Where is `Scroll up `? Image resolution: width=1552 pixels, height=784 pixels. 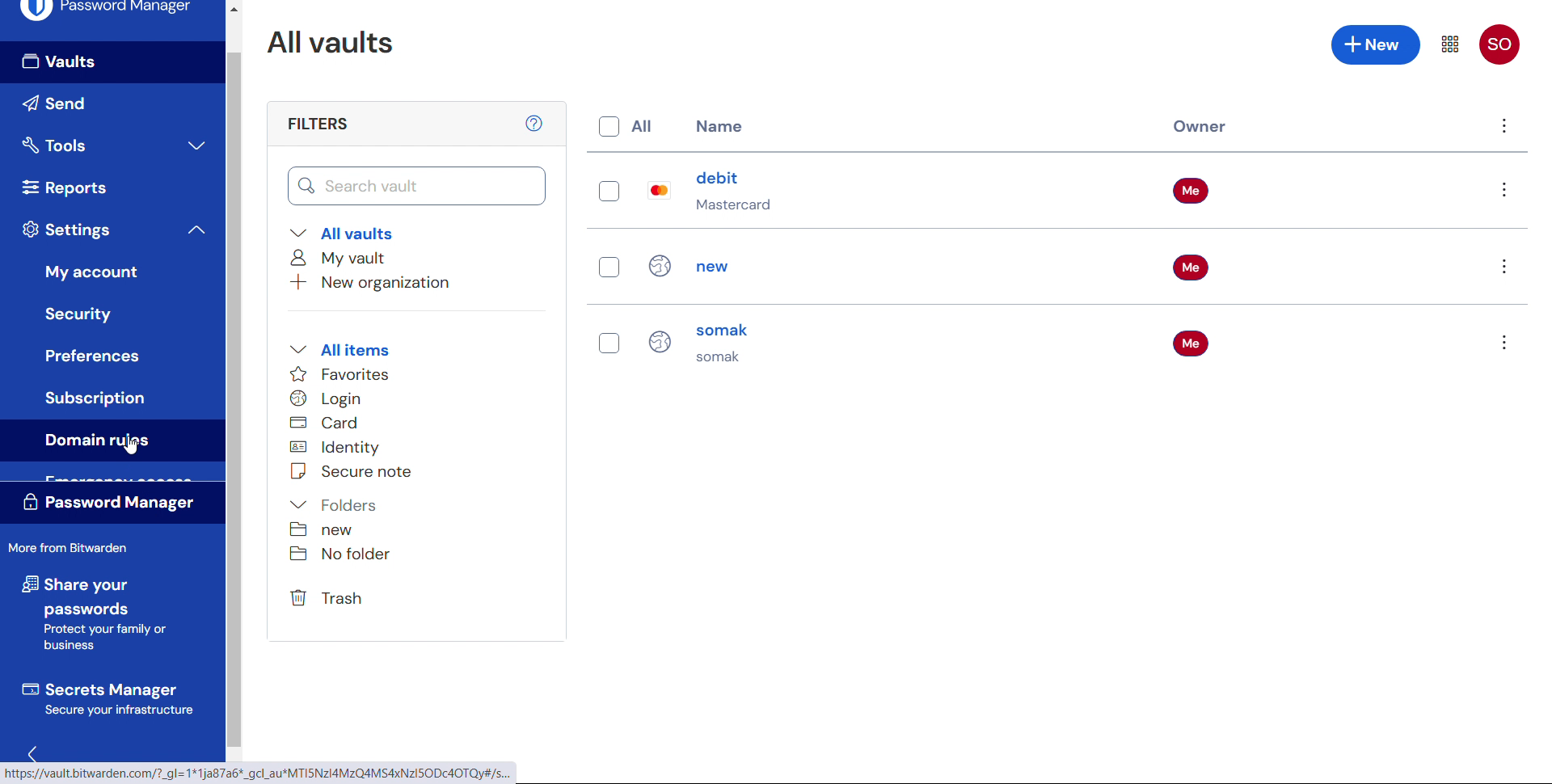
Scroll up  is located at coordinates (233, 7).